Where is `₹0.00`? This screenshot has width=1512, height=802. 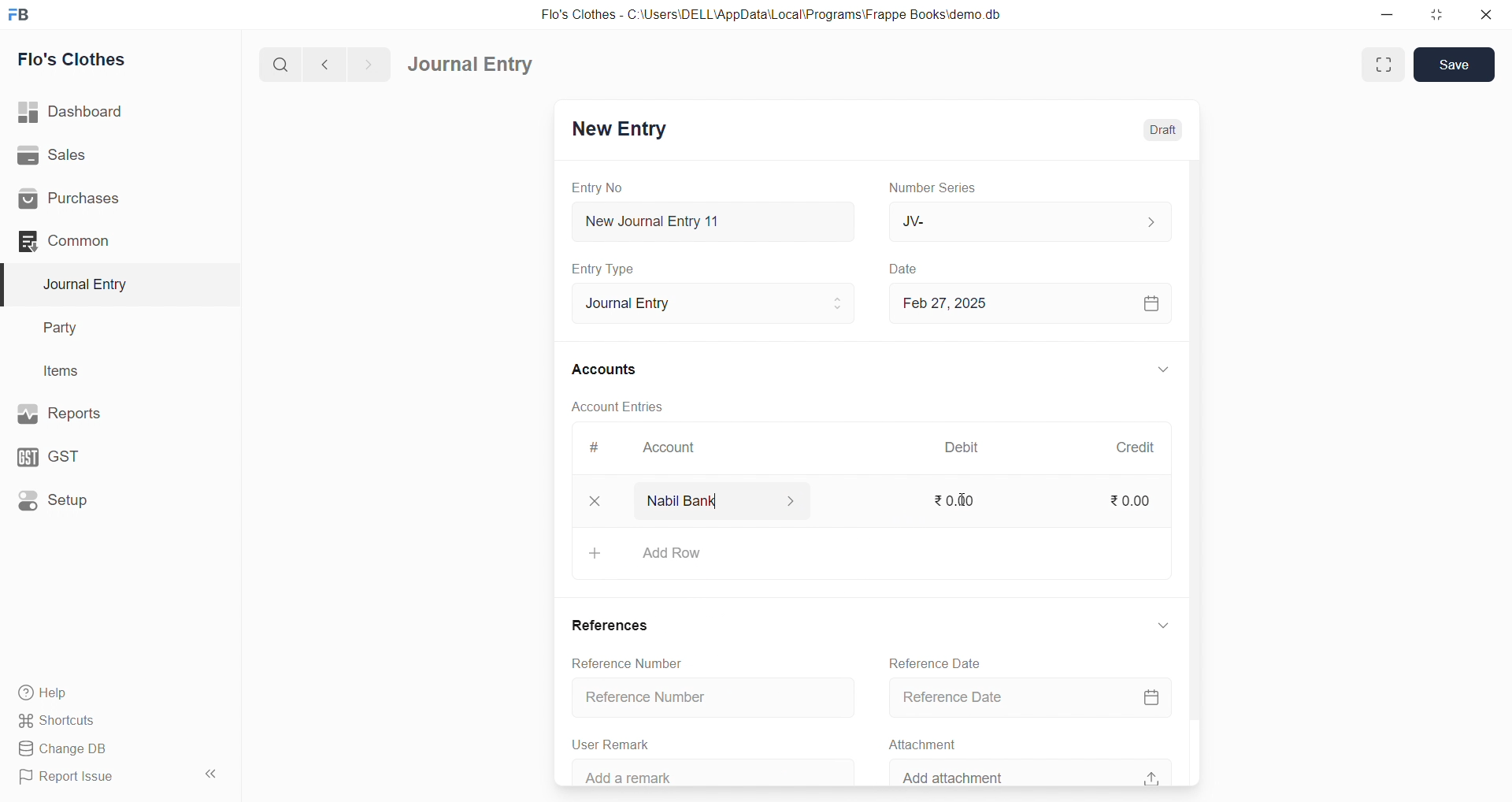
₹0.00 is located at coordinates (1132, 500).